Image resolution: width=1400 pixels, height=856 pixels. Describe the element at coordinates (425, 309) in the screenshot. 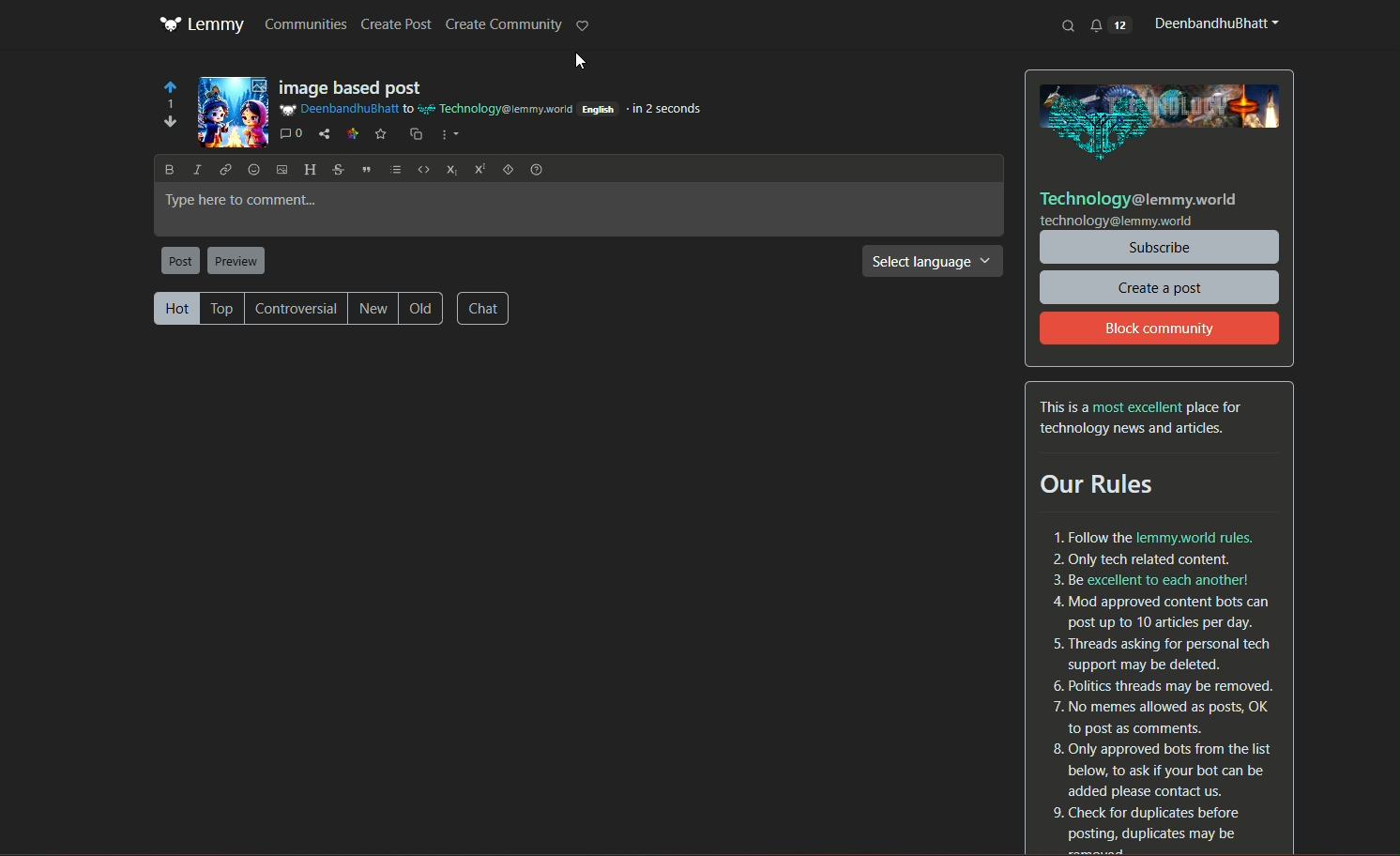

I see `old` at that location.